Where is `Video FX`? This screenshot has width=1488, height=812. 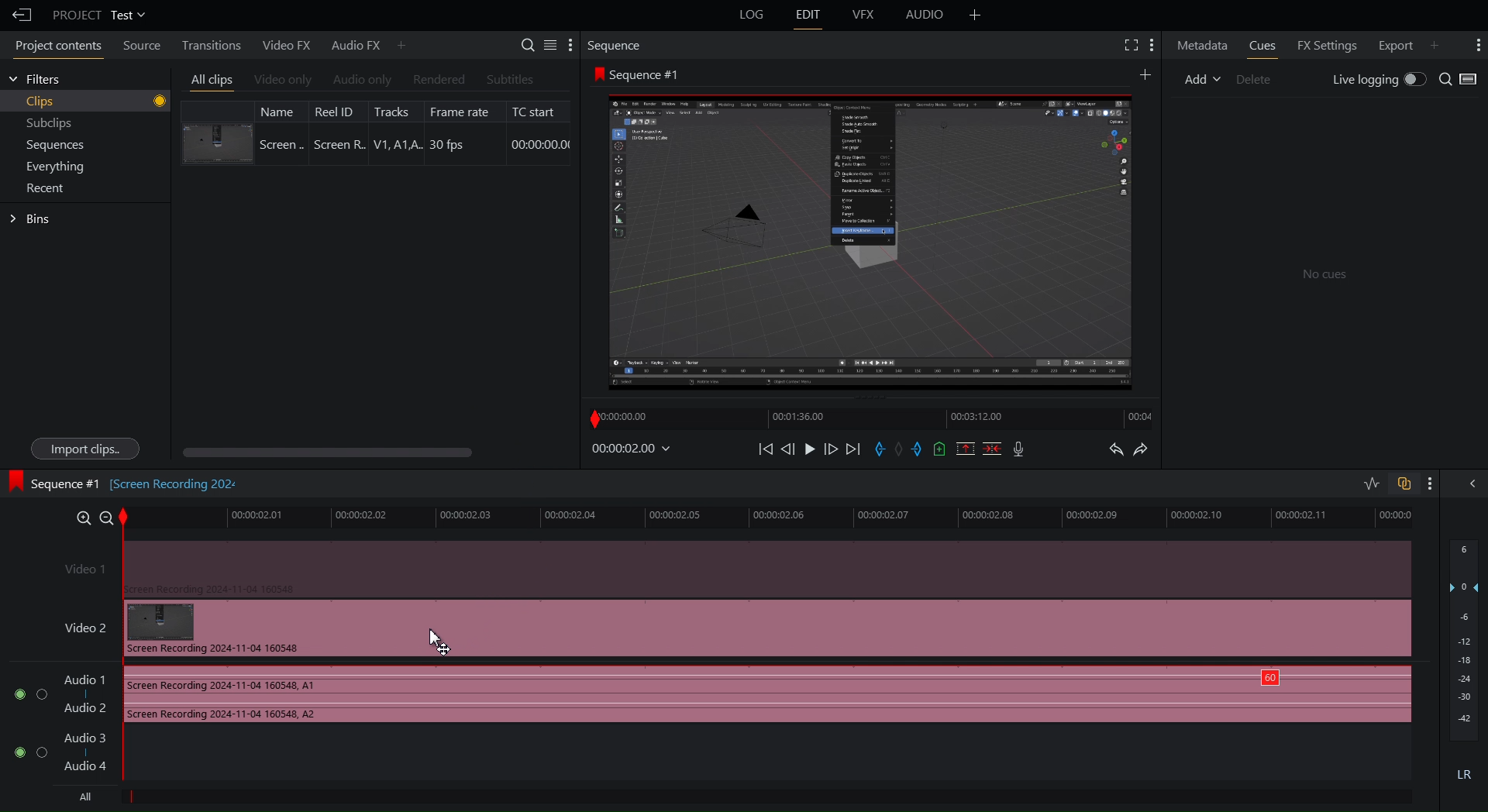
Video FX is located at coordinates (284, 45).